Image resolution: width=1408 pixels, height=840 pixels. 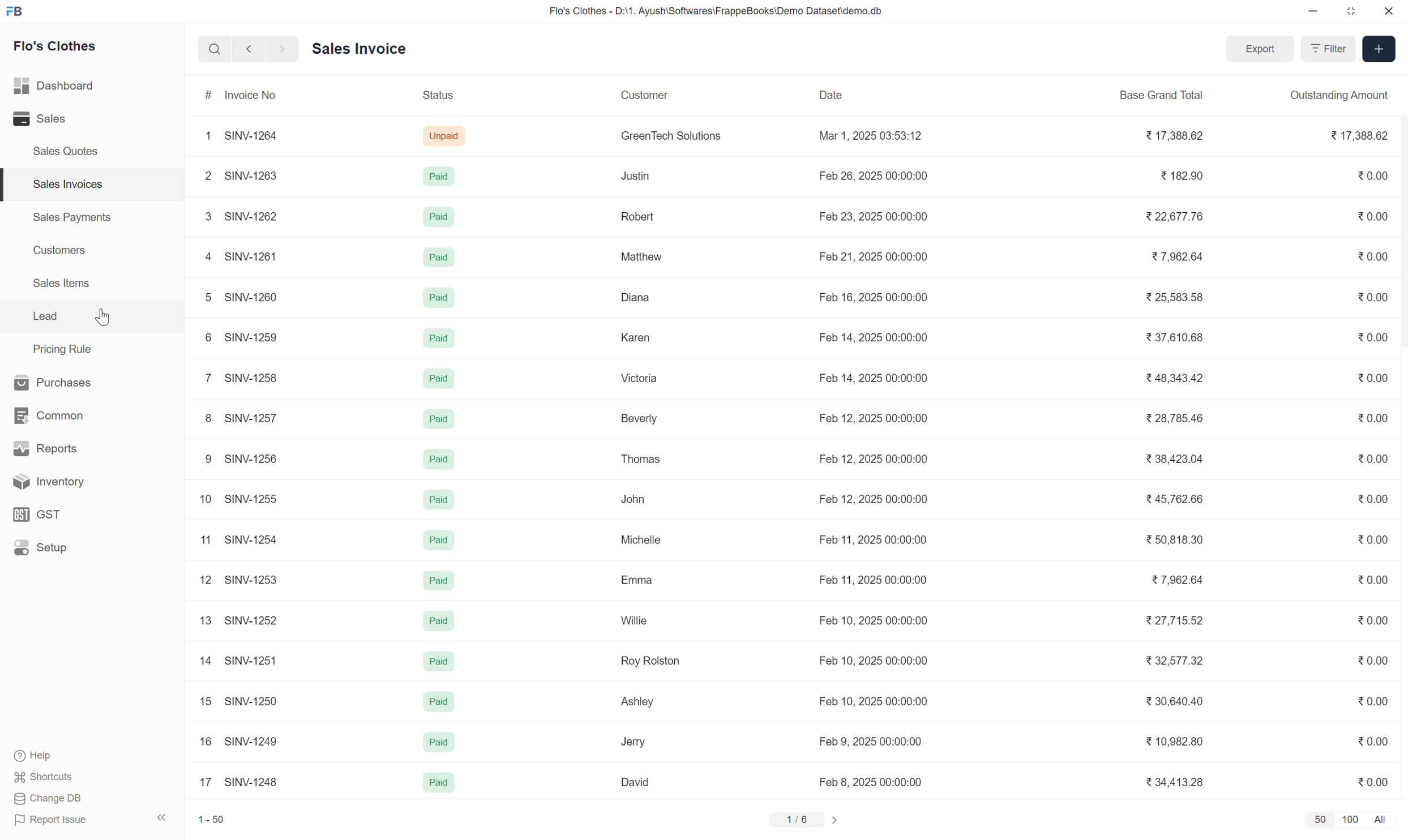 I want to click on #, so click(x=203, y=93).